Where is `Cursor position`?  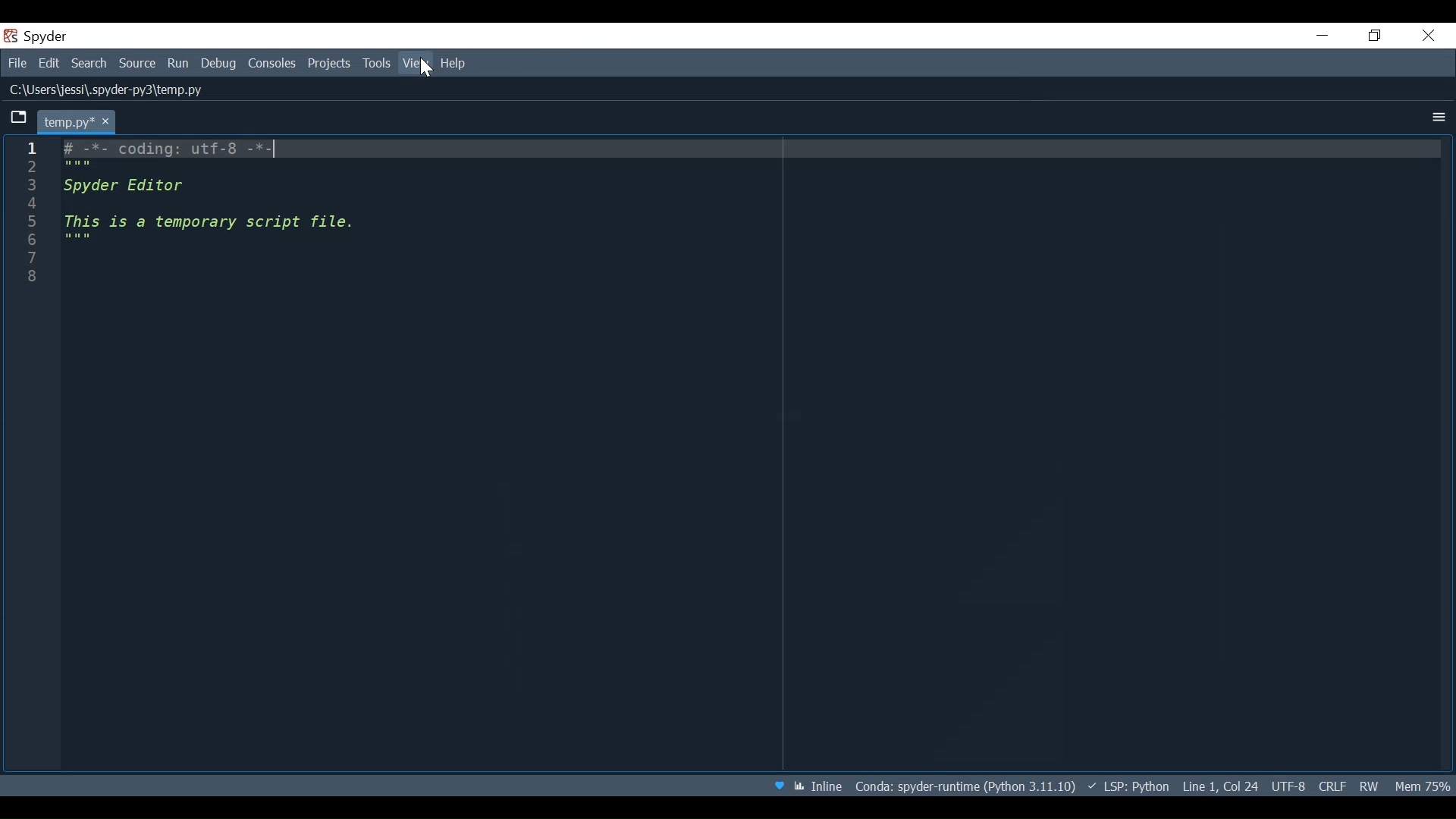
Cursor position is located at coordinates (1219, 784).